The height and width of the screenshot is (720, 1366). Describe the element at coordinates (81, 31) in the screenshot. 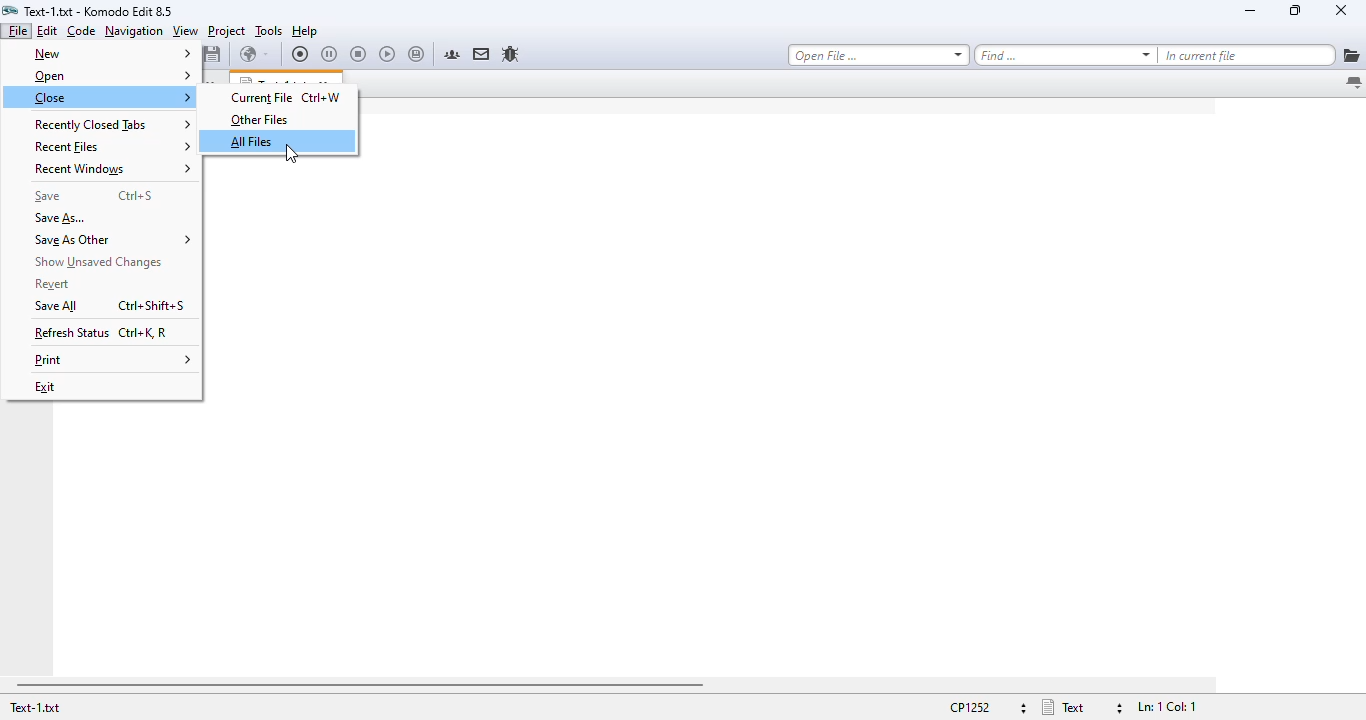

I see `code` at that location.